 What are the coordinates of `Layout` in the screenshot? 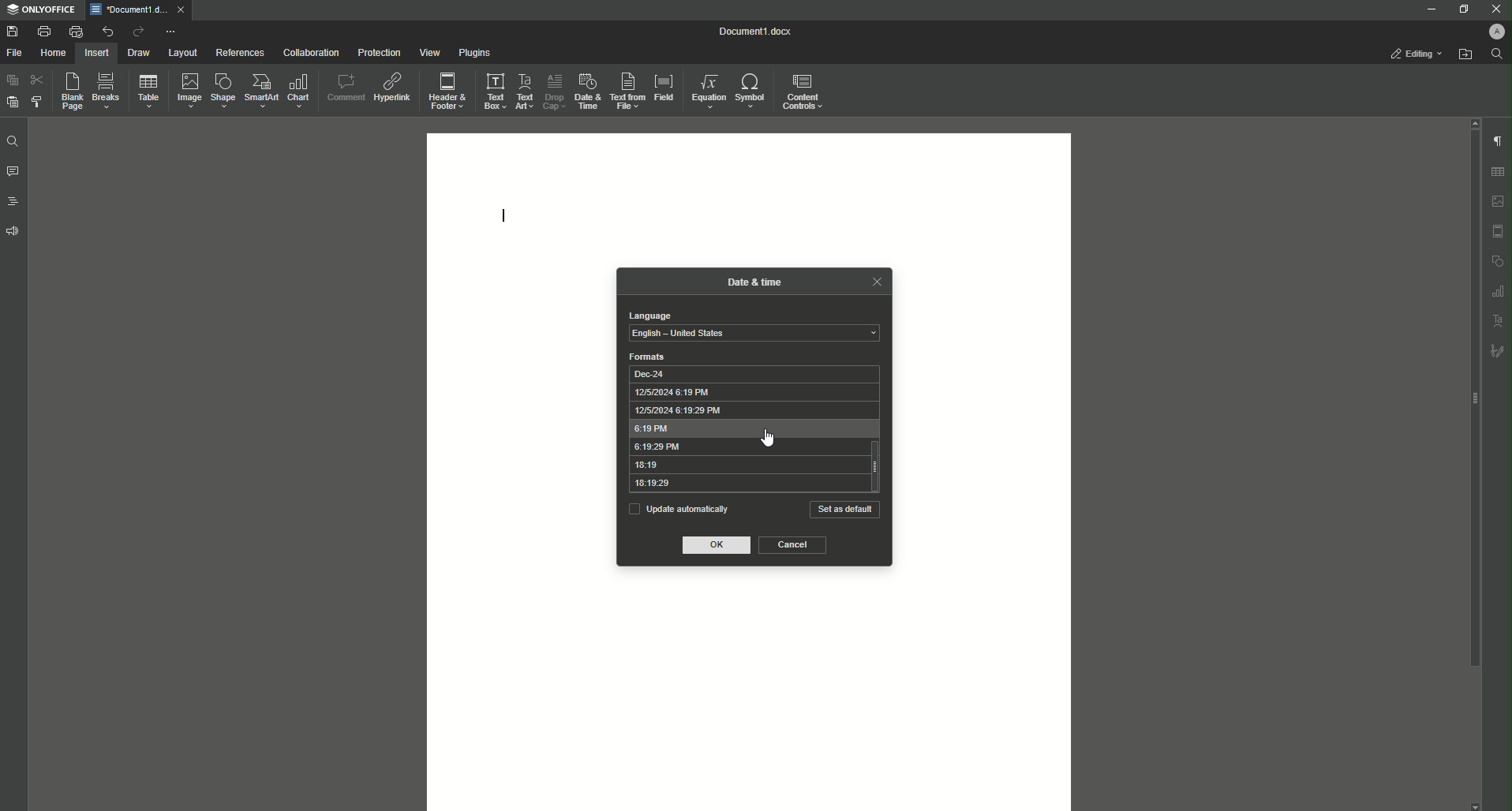 It's located at (183, 53).